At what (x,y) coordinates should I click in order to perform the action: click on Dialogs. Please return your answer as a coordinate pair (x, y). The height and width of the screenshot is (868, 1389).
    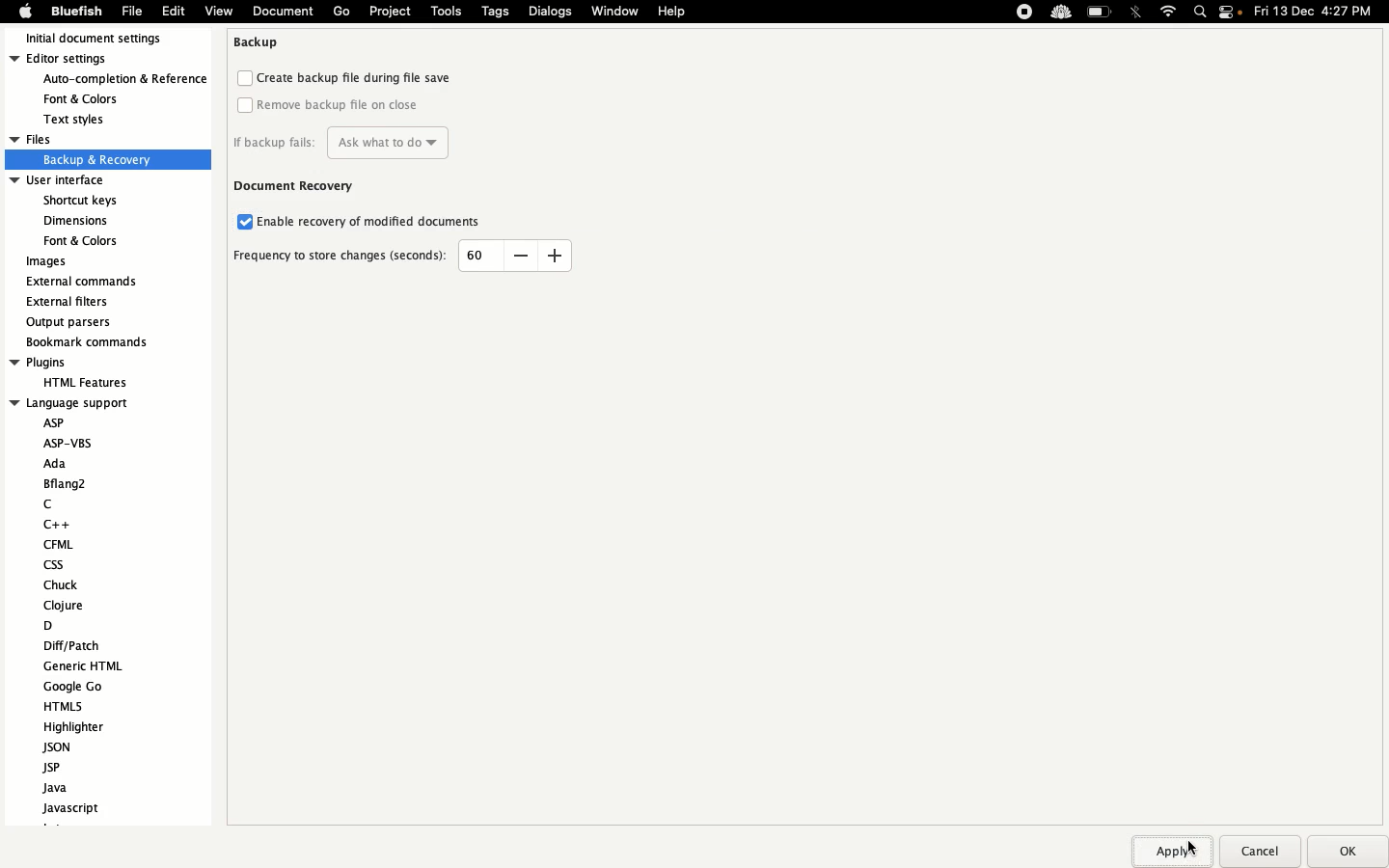
    Looking at the image, I should click on (551, 10).